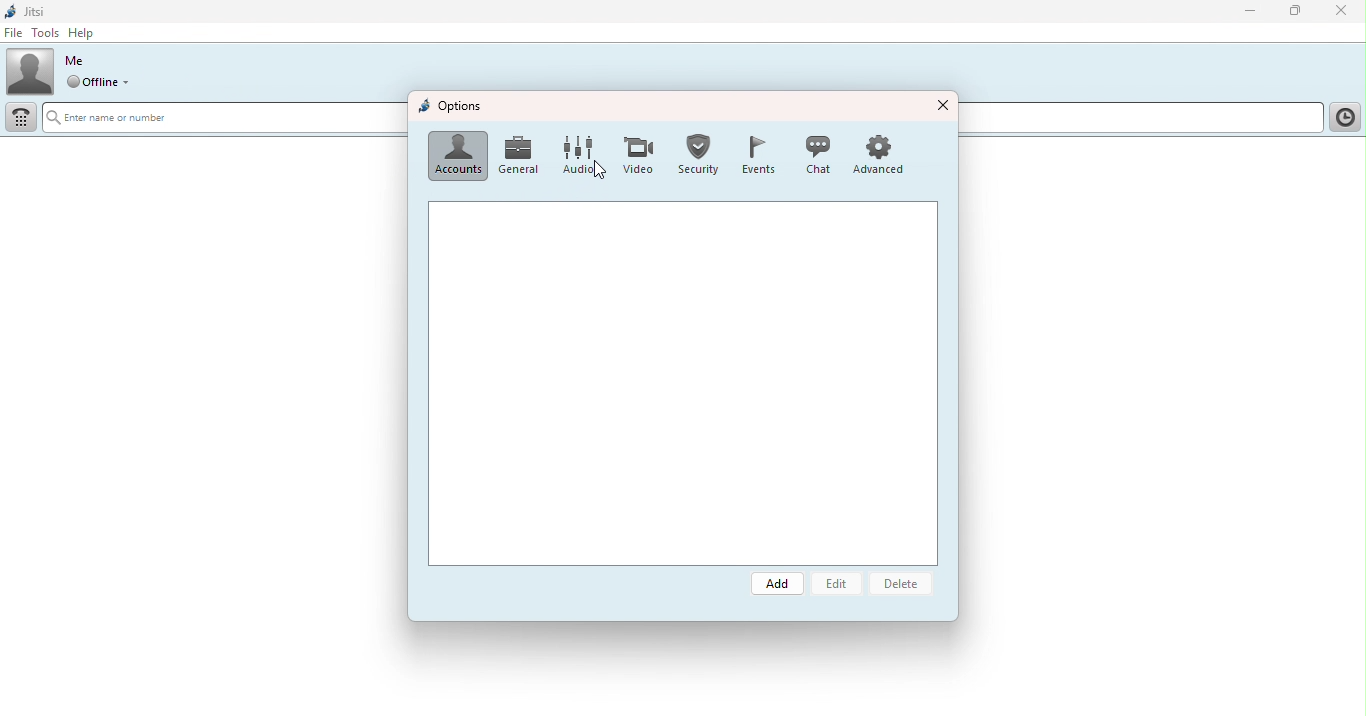 The height and width of the screenshot is (716, 1366). What do you see at coordinates (89, 32) in the screenshot?
I see `Help` at bounding box center [89, 32].